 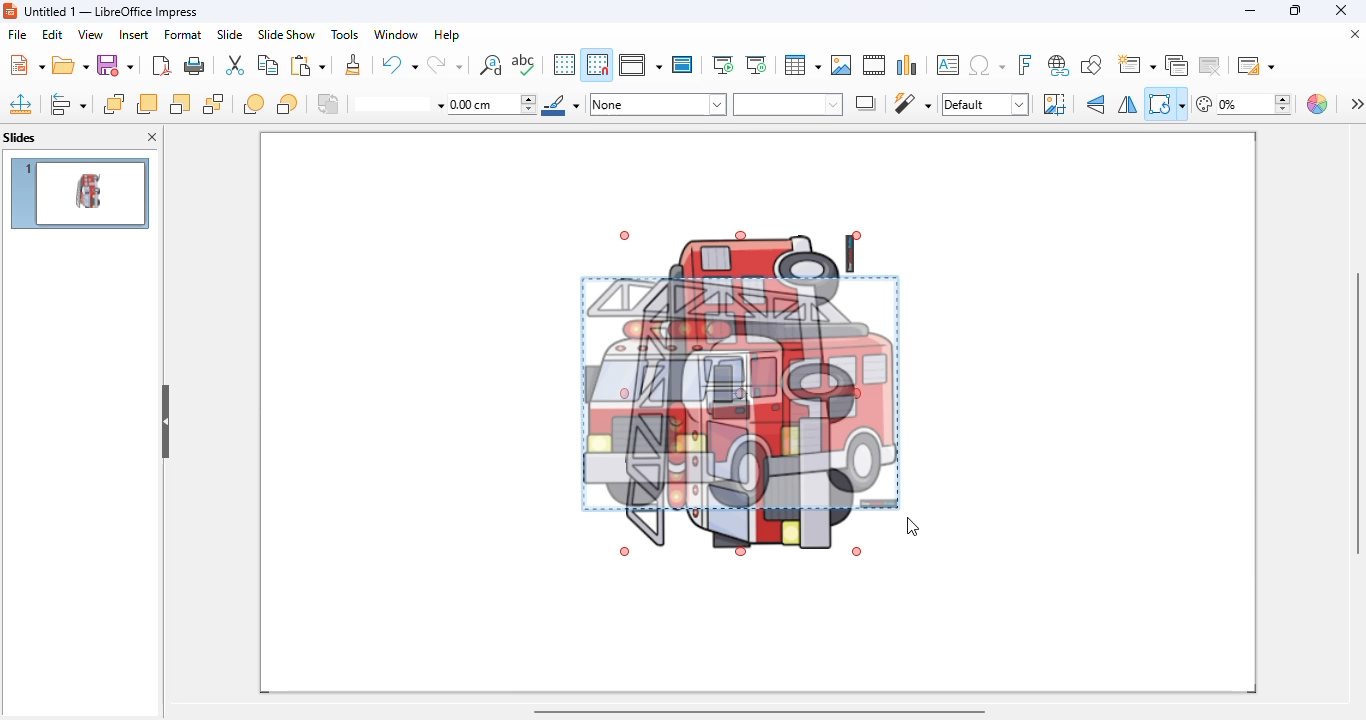 What do you see at coordinates (1251, 10) in the screenshot?
I see `minimize` at bounding box center [1251, 10].